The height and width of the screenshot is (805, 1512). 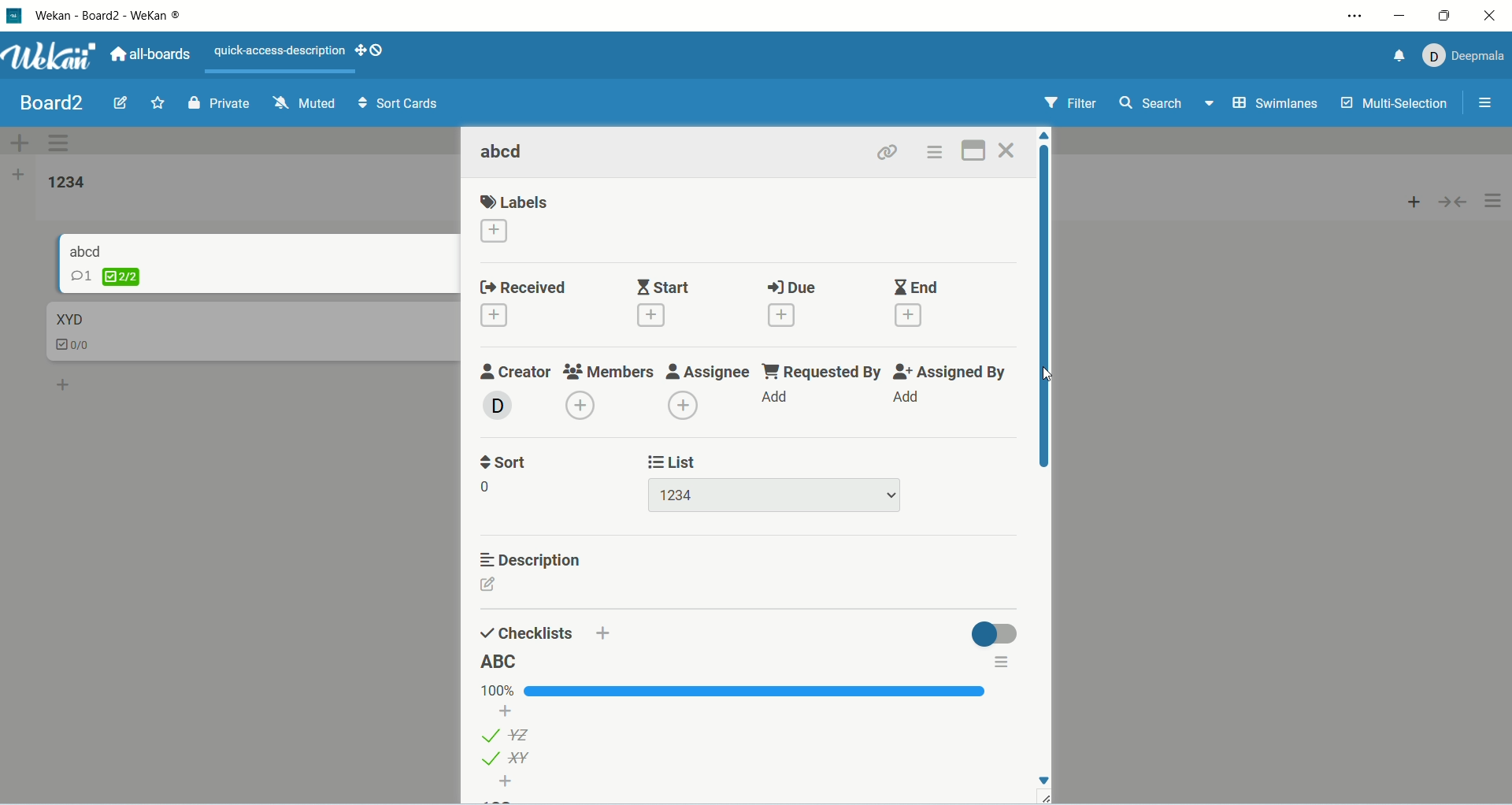 I want to click on add, so click(x=780, y=316).